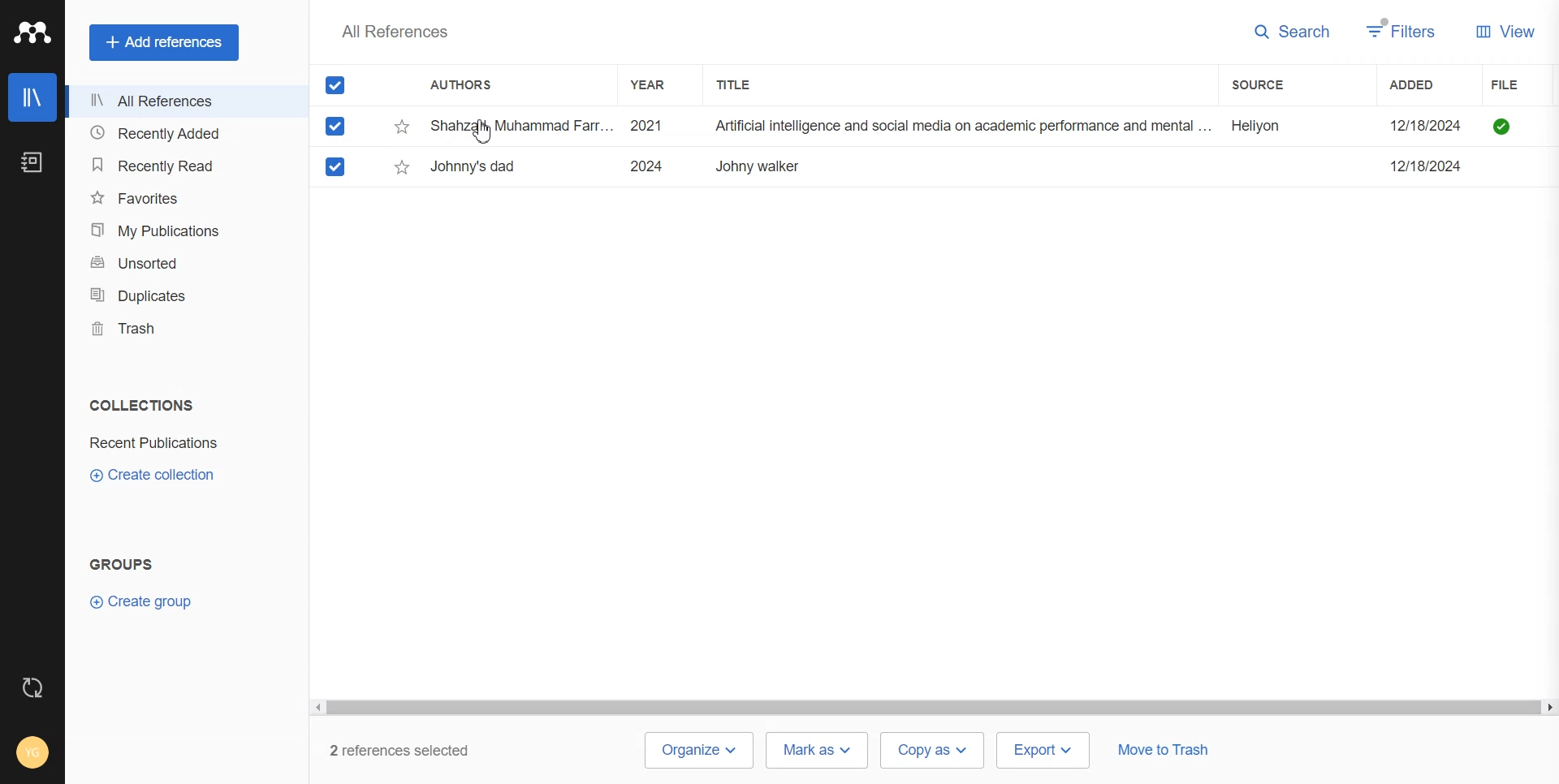 The width and height of the screenshot is (1559, 784). What do you see at coordinates (1524, 85) in the screenshot?
I see `File` at bounding box center [1524, 85].